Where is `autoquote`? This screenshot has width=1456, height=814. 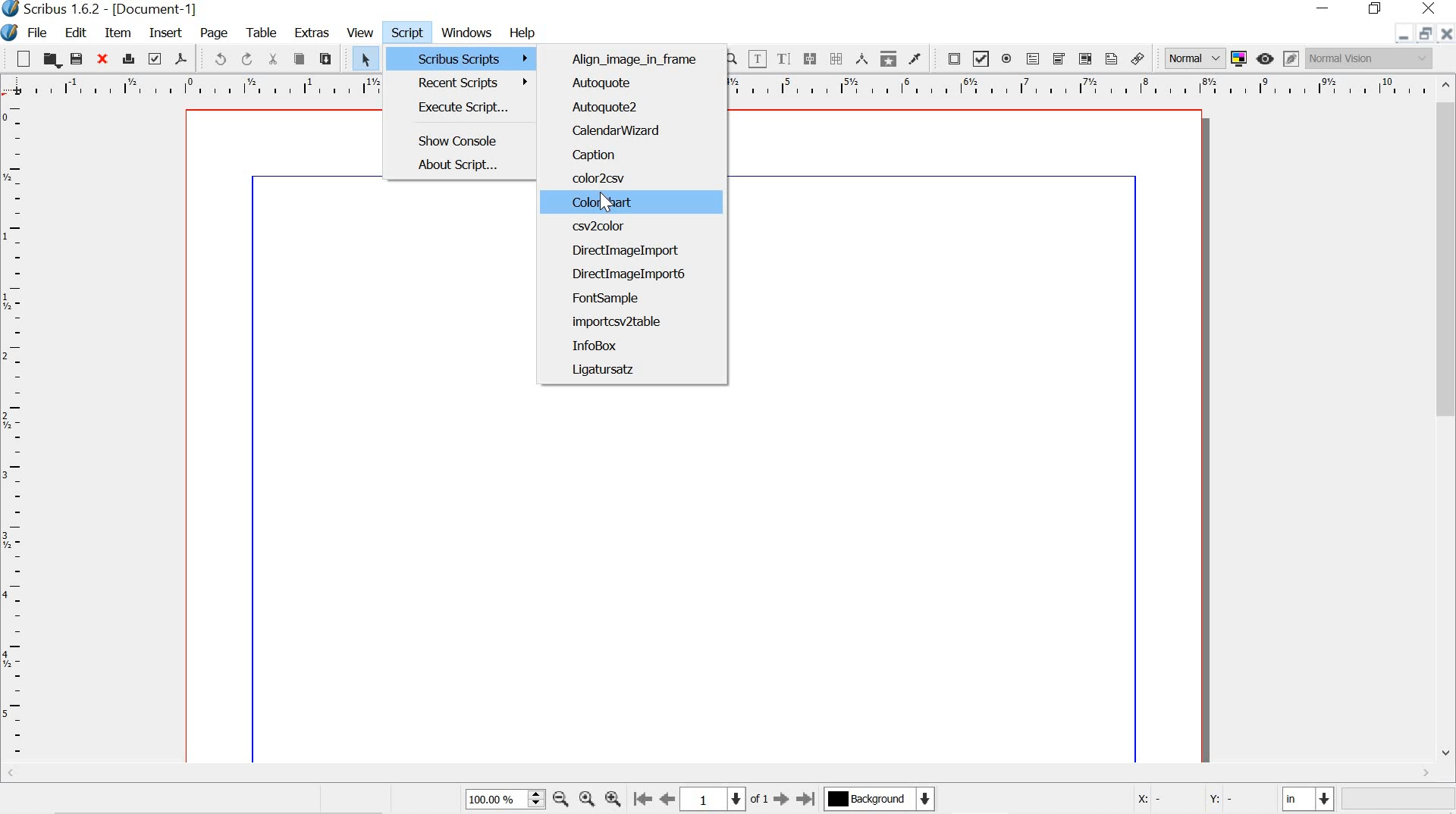
autoquote is located at coordinates (641, 83).